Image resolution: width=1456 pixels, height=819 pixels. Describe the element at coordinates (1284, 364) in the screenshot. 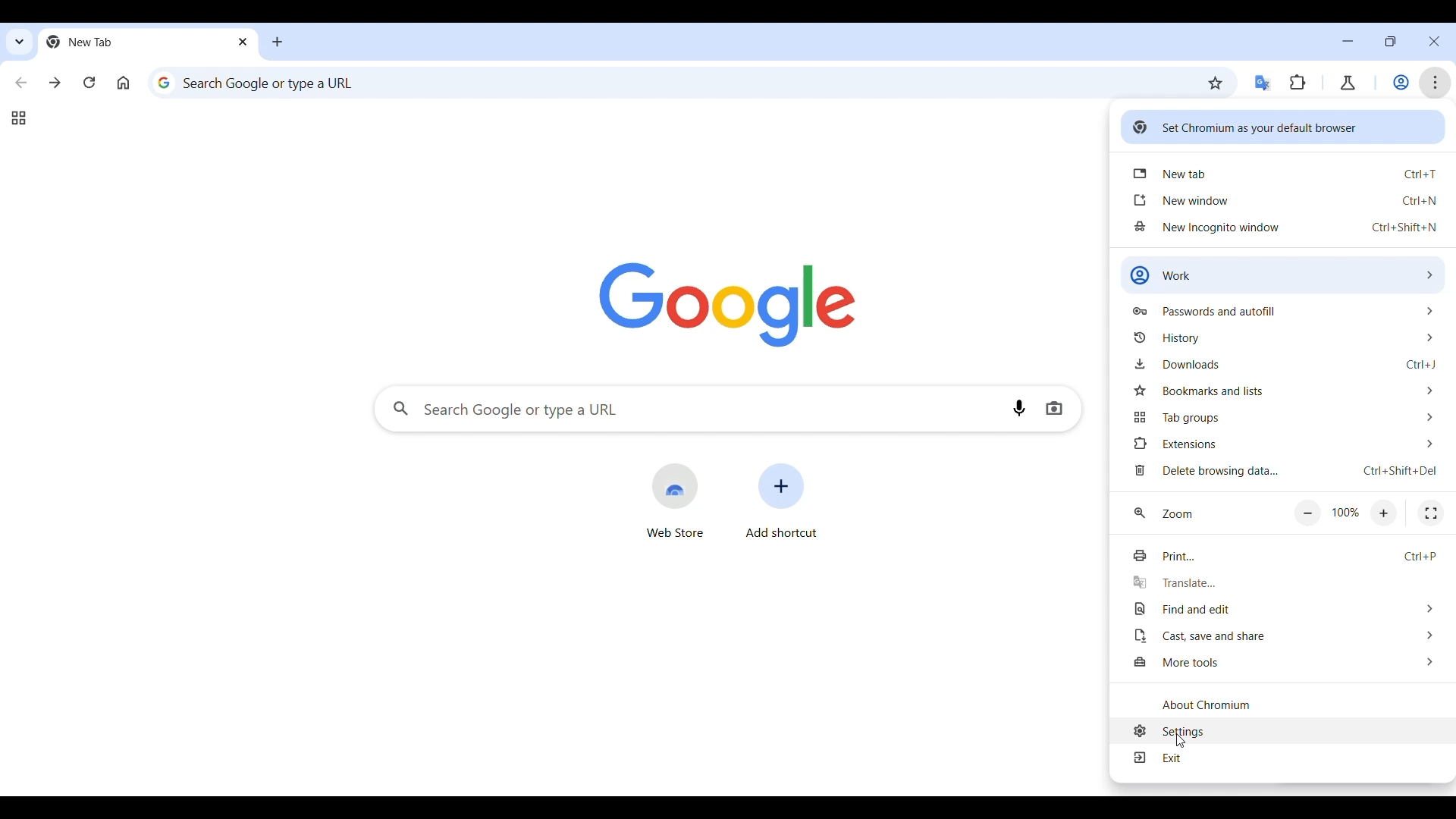

I see `Downloads` at that location.